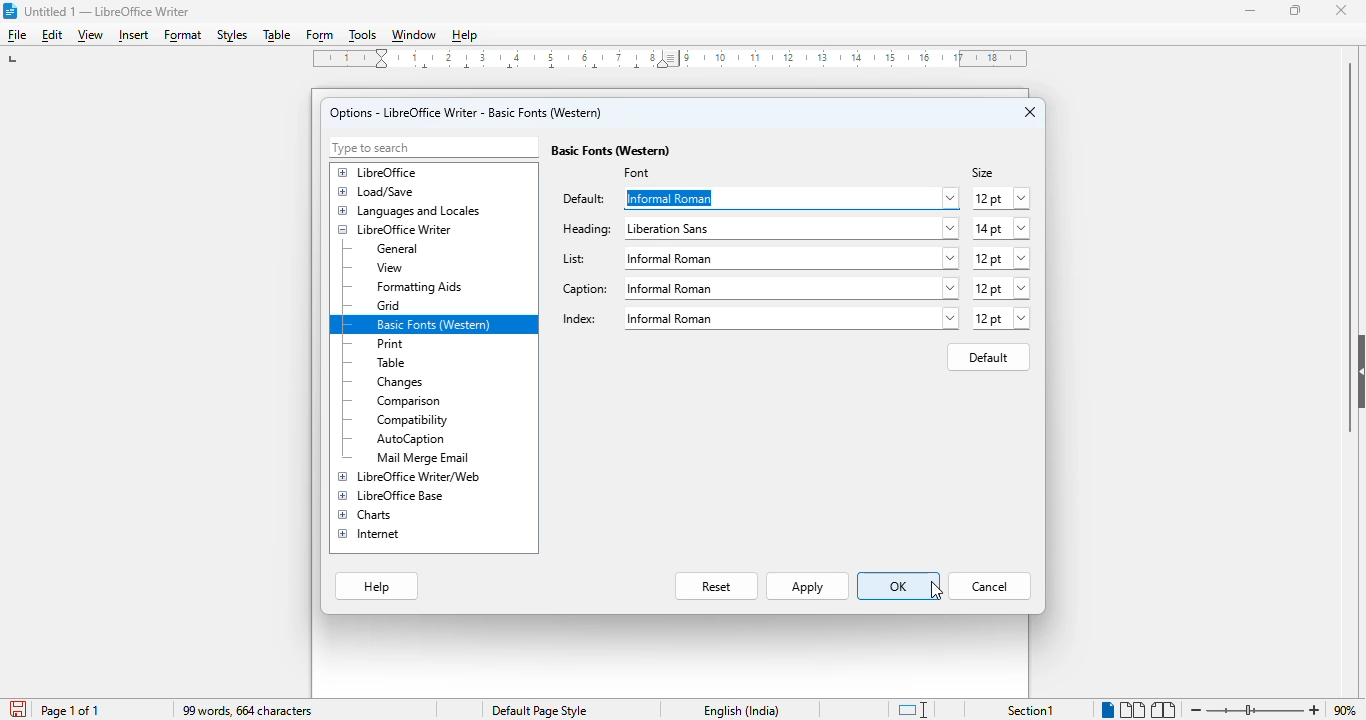 The image size is (1366, 720). What do you see at coordinates (424, 458) in the screenshot?
I see `mail merge email` at bounding box center [424, 458].